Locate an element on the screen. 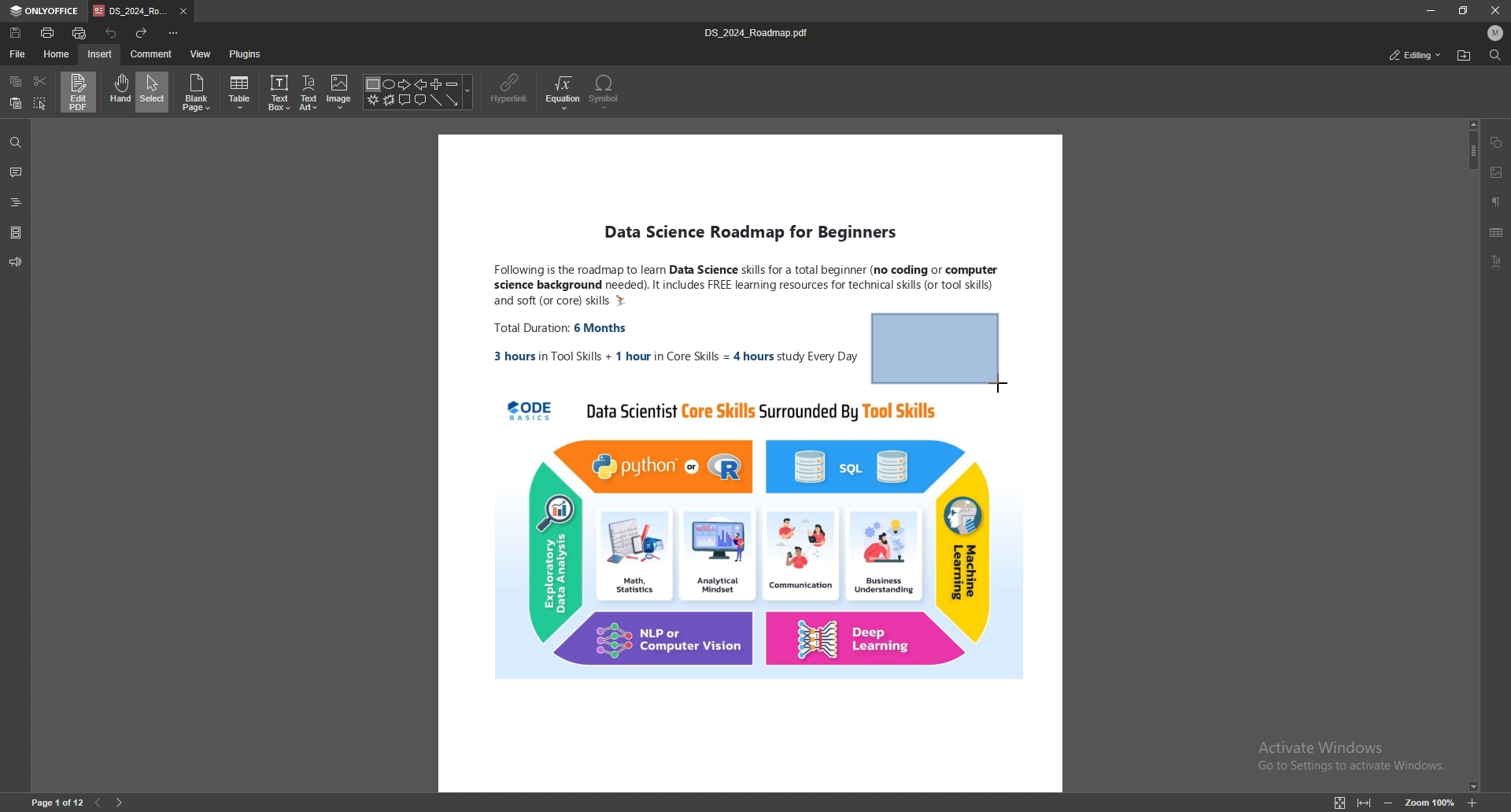 The image size is (1511, 812). redo is located at coordinates (142, 32).